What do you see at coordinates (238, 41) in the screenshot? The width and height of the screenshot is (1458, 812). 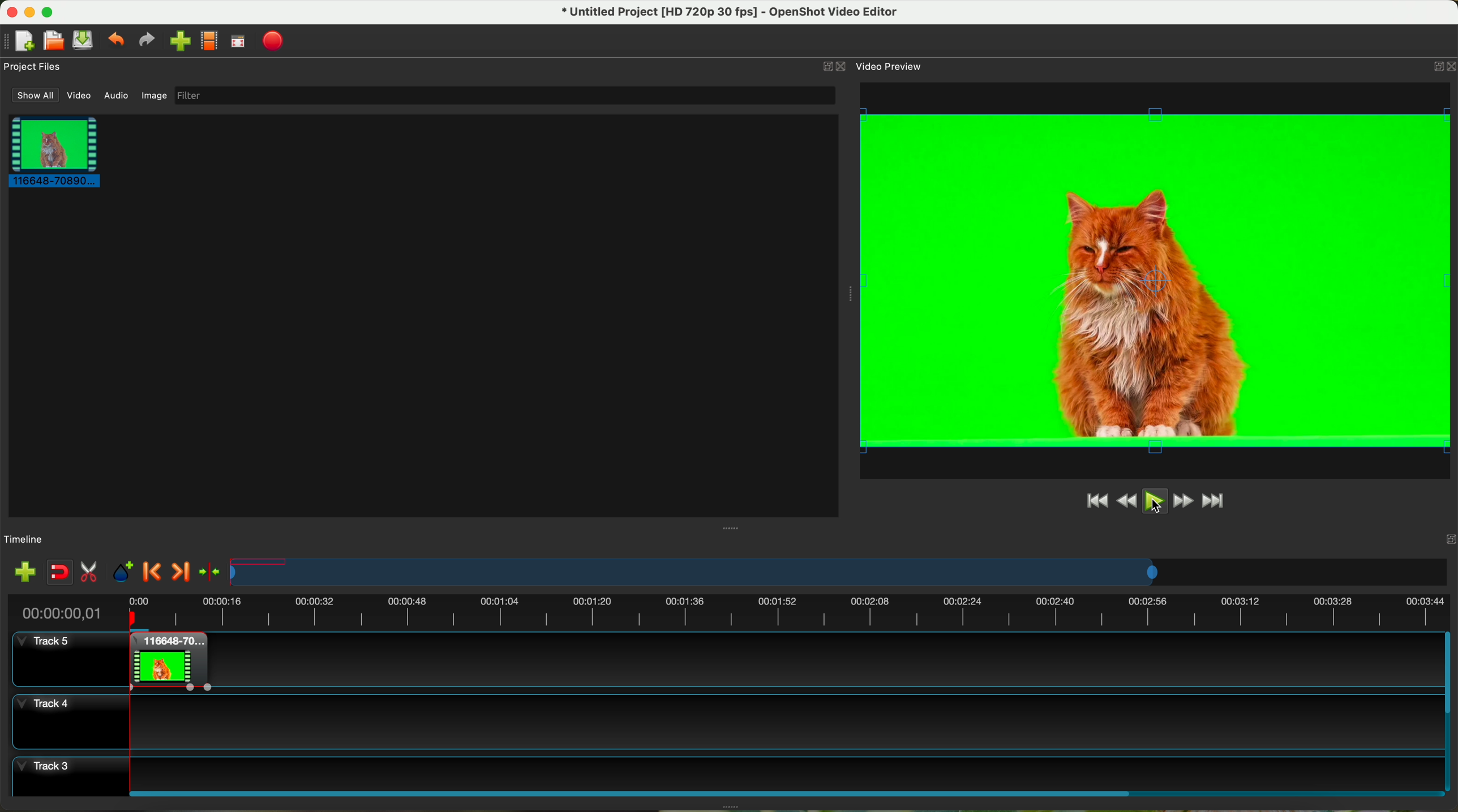 I see `full screen` at bounding box center [238, 41].